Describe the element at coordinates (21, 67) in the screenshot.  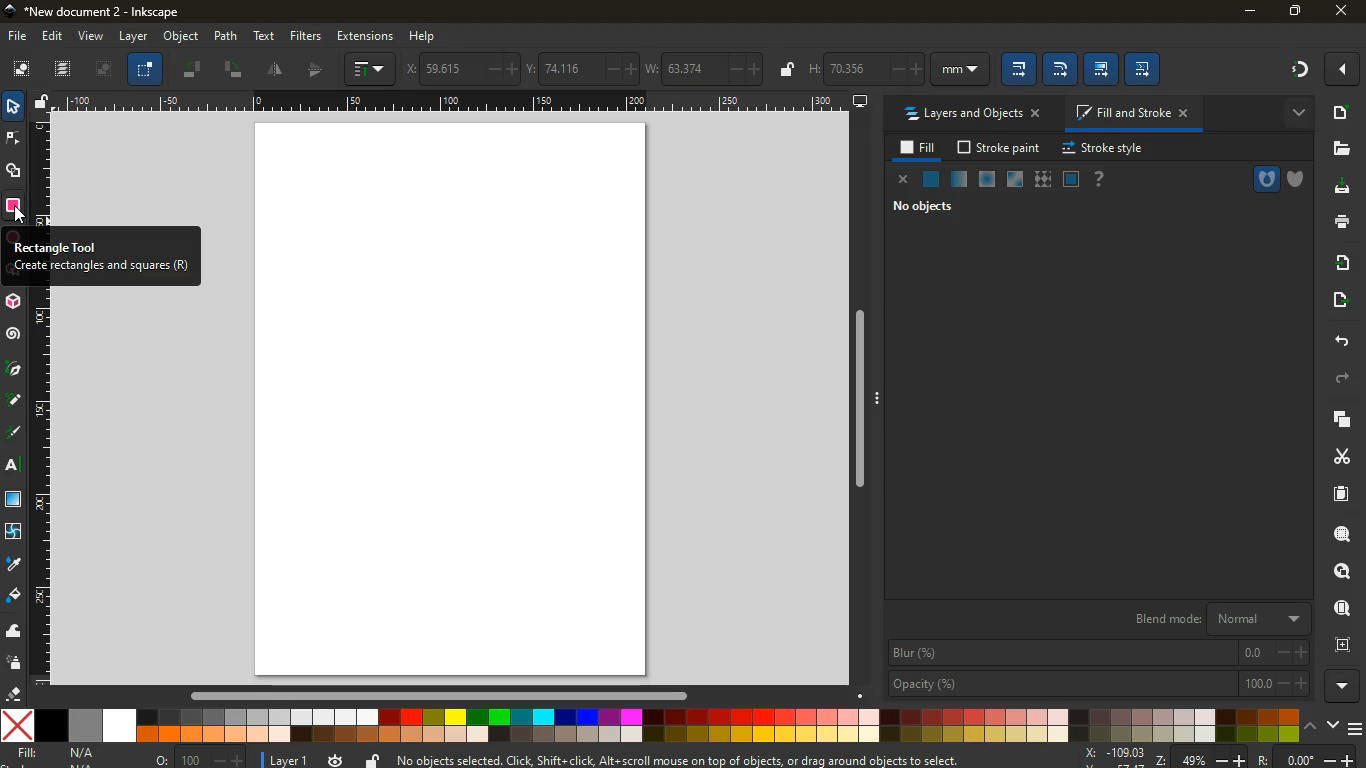
I see `image` at that location.